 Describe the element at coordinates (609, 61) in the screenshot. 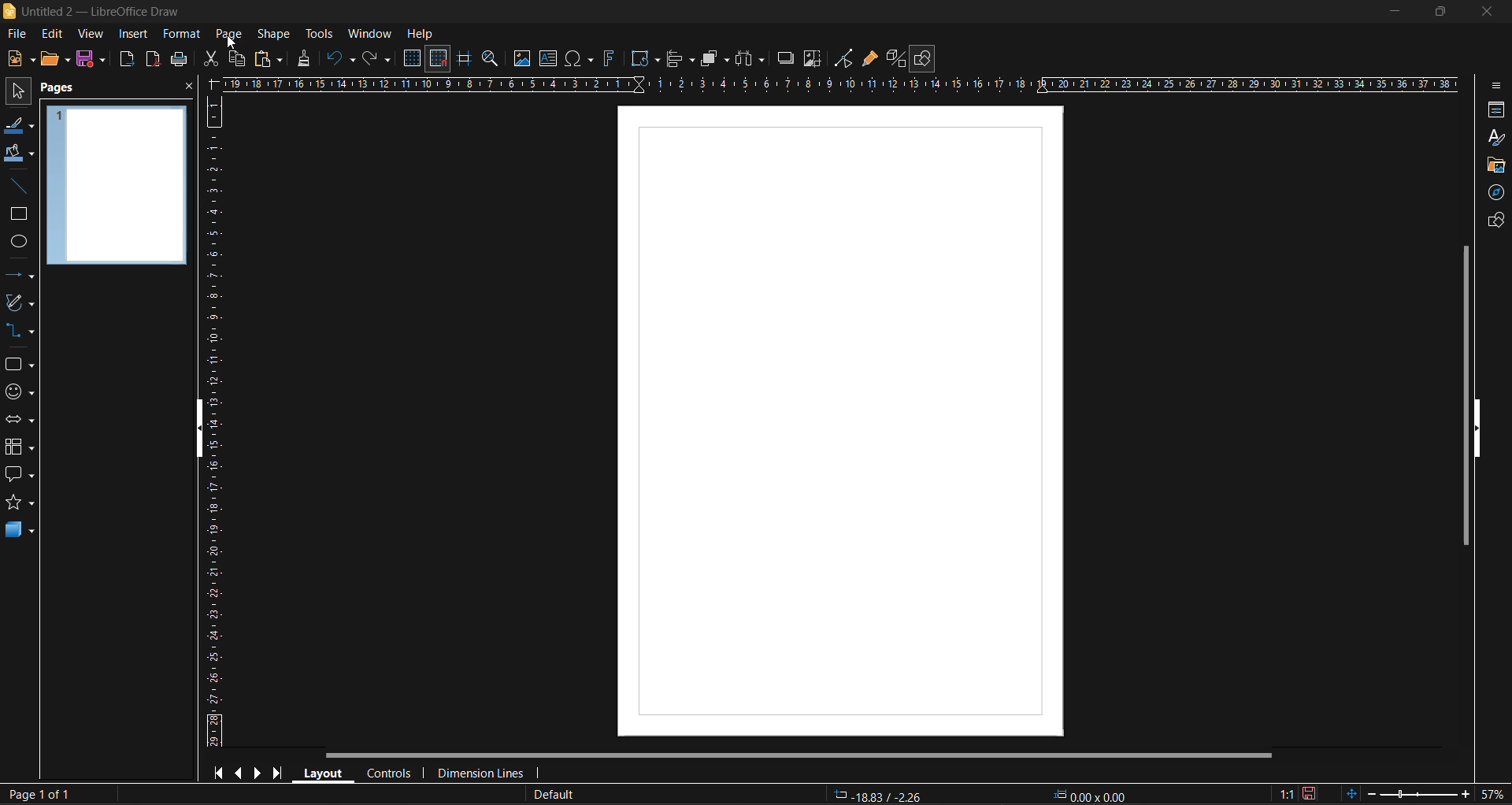

I see `fontwork` at that location.